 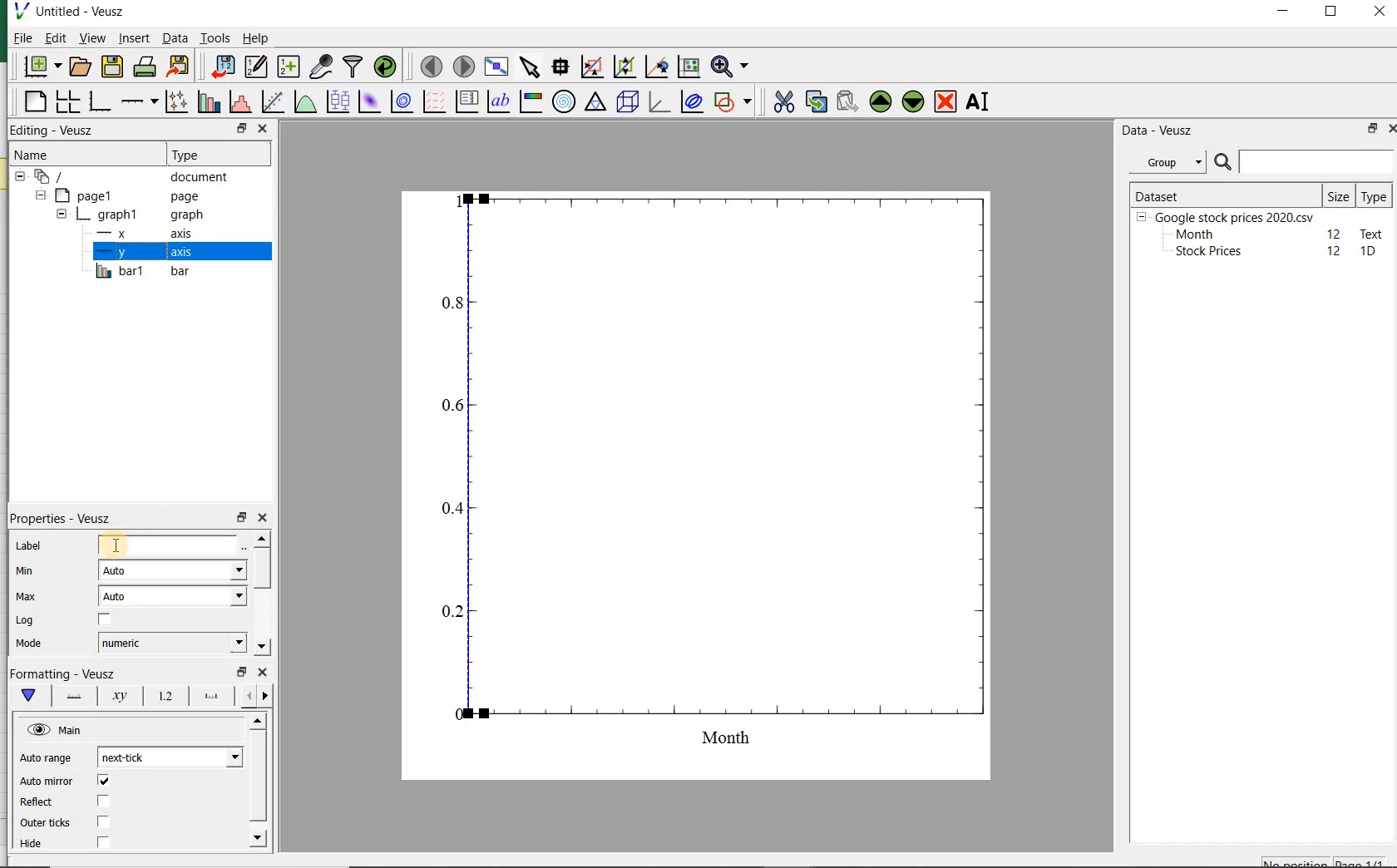 I want to click on view, so click(x=92, y=39).